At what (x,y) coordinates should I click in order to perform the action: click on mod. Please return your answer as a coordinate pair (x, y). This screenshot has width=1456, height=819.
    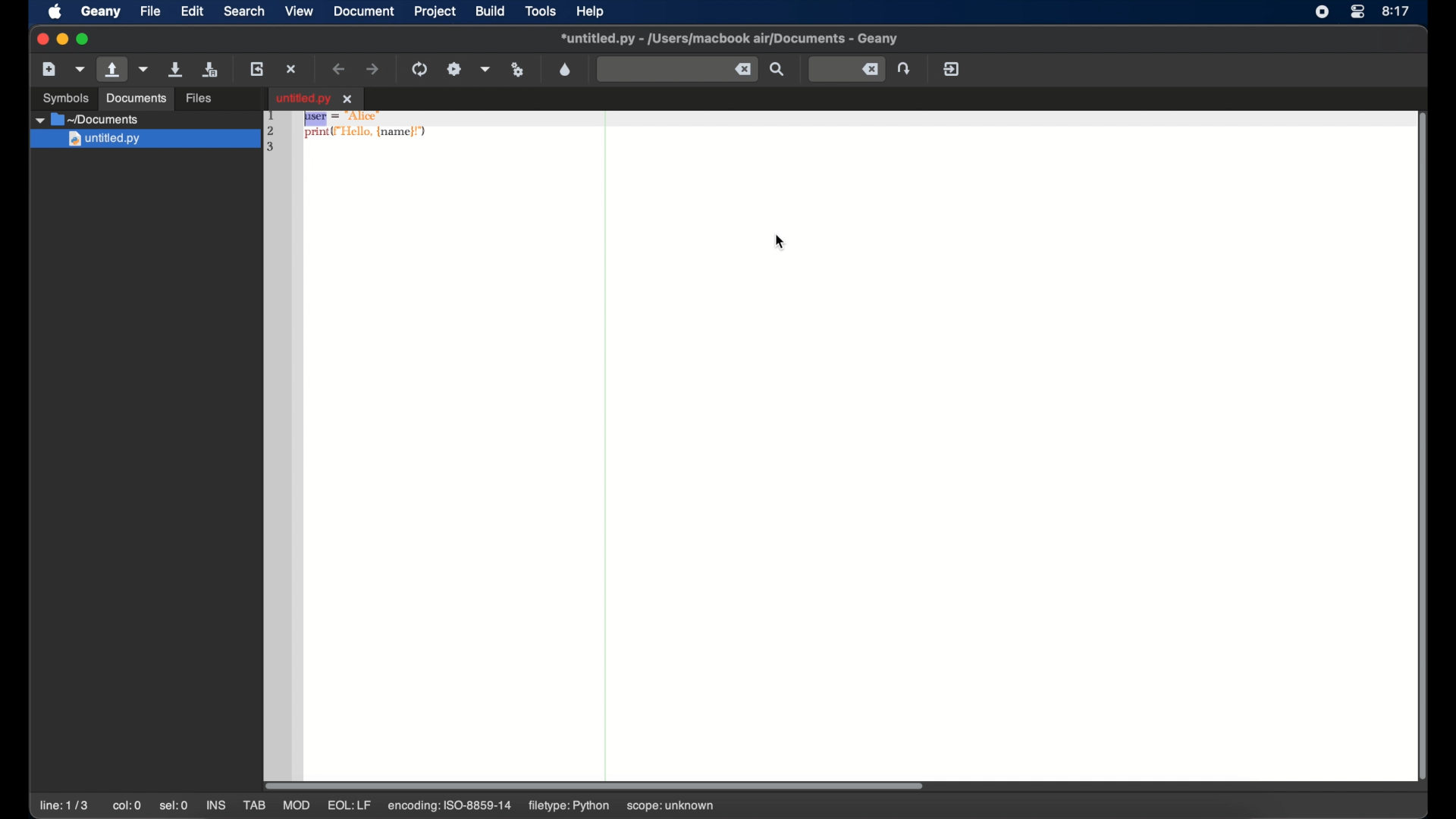
    Looking at the image, I should click on (295, 805).